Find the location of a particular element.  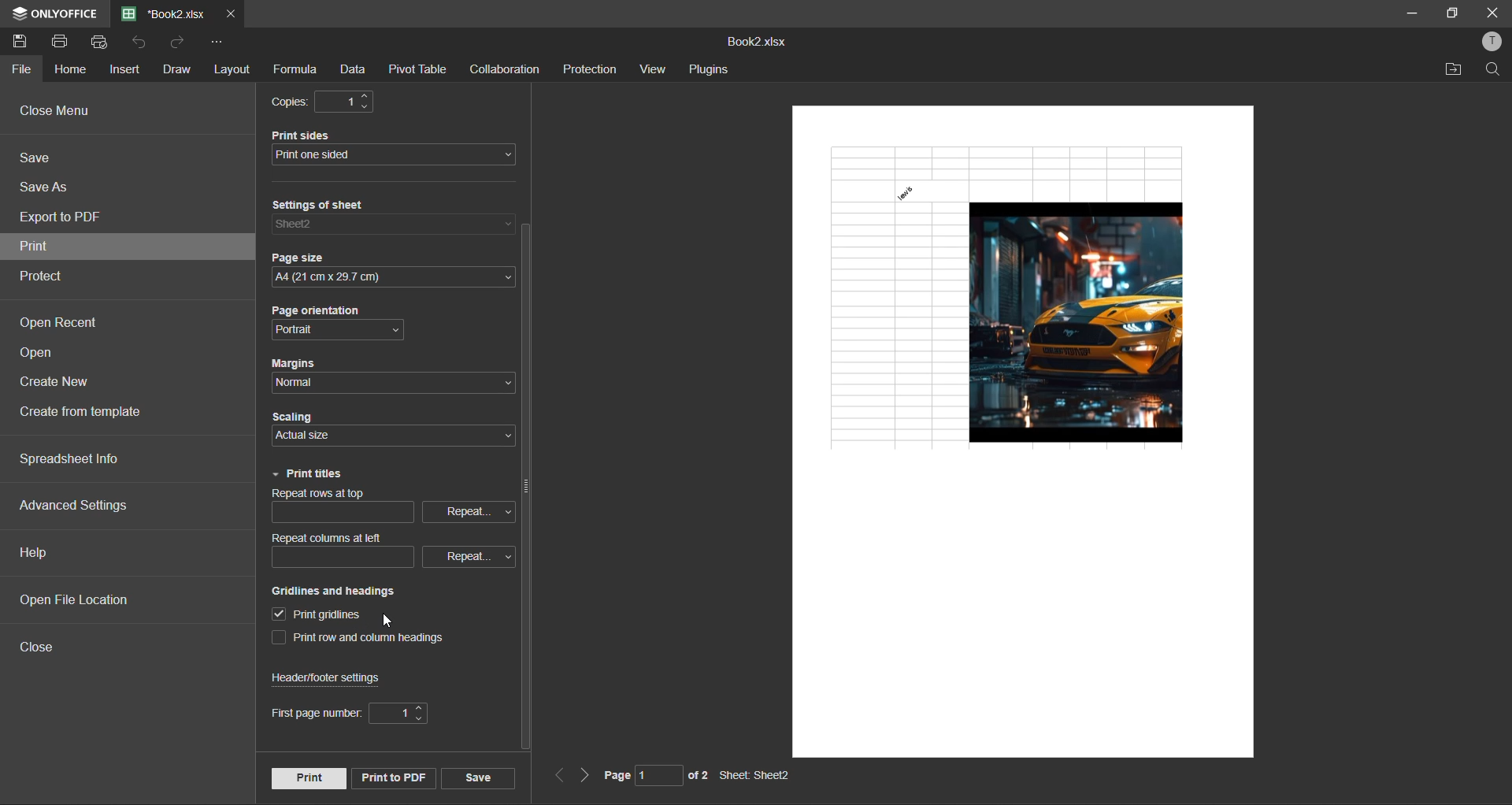

page orientation is located at coordinates (318, 312).